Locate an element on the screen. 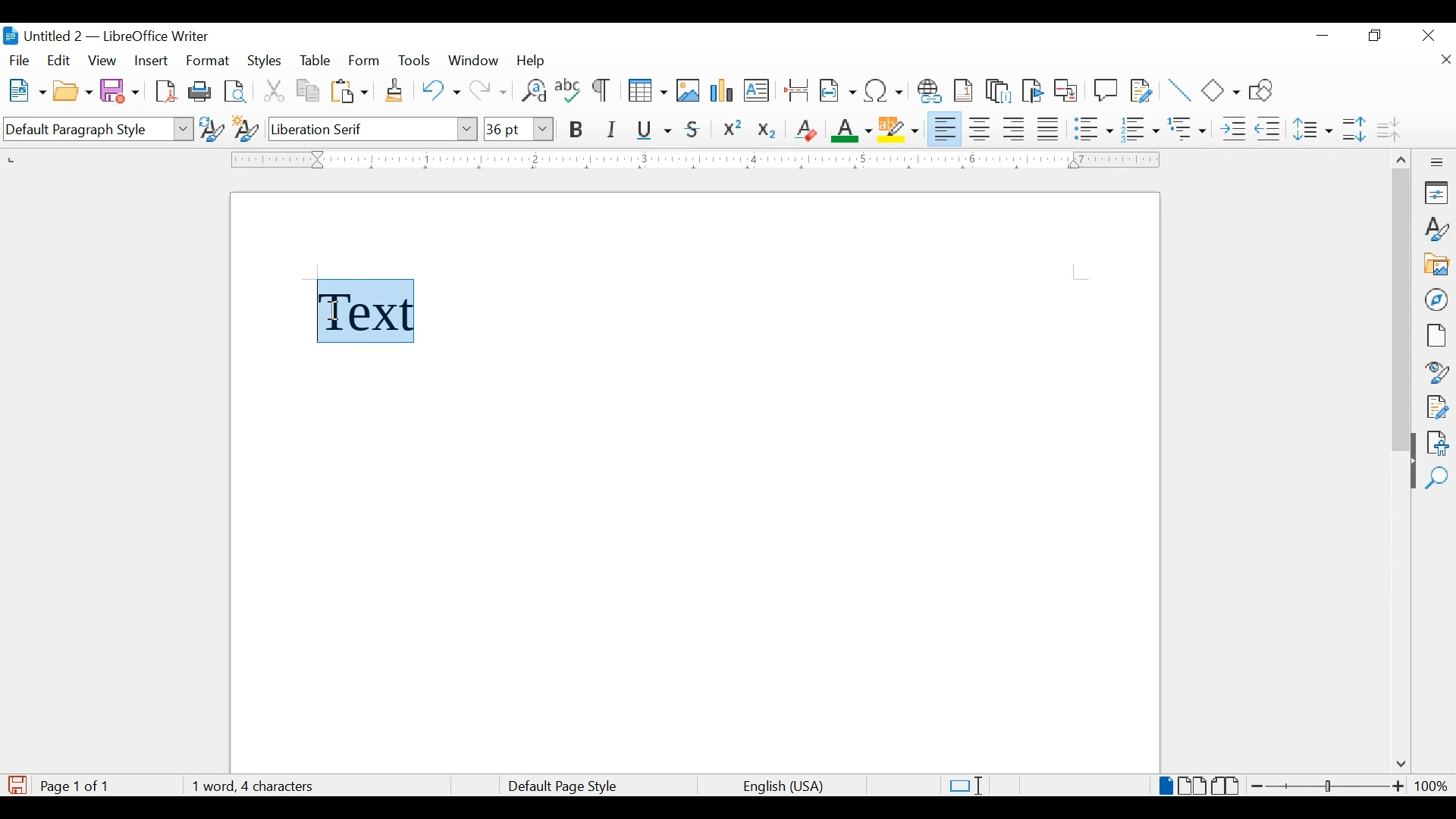 The width and height of the screenshot is (1456, 819). more options is located at coordinates (1439, 162).